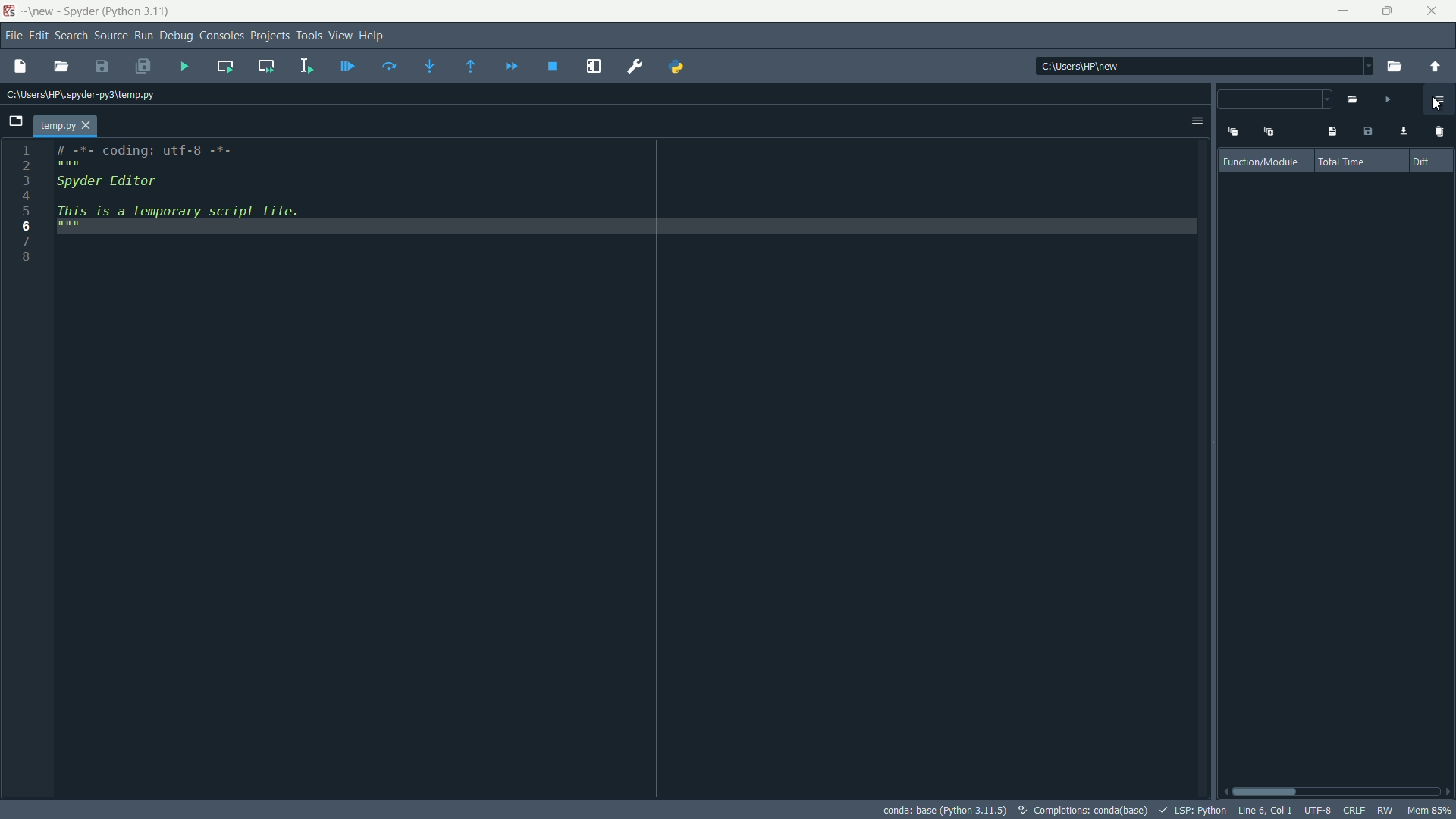  What do you see at coordinates (1084, 810) in the screenshot?
I see `completions: conda (base)` at bounding box center [1084, 810].